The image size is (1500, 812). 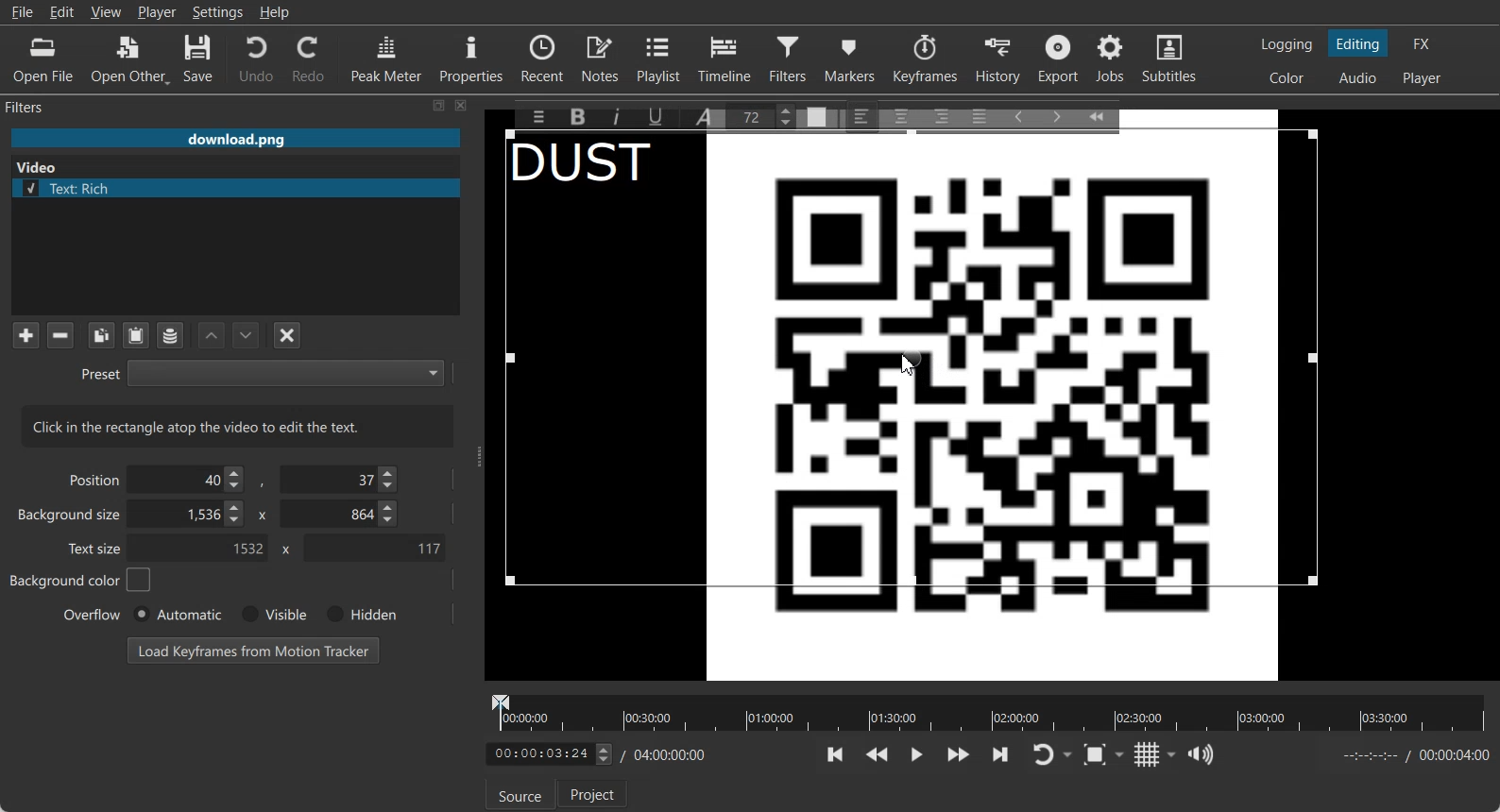 What do you see at coordinates (602, 58) in the screenshot?
I see `Notes` at bounding box center [602, 58].